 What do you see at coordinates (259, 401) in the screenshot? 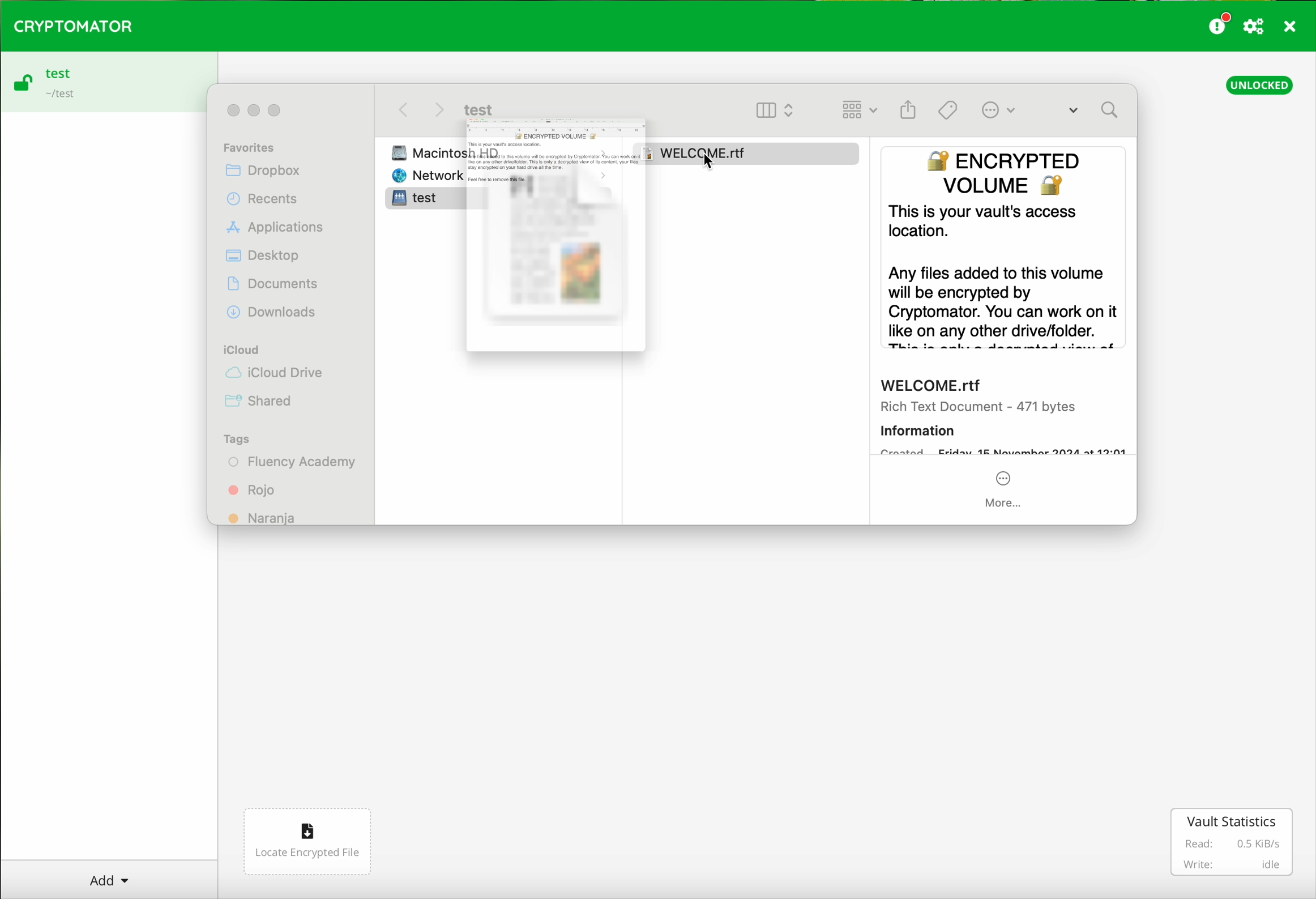
I see `Shared` at bounding box center [259, 401].